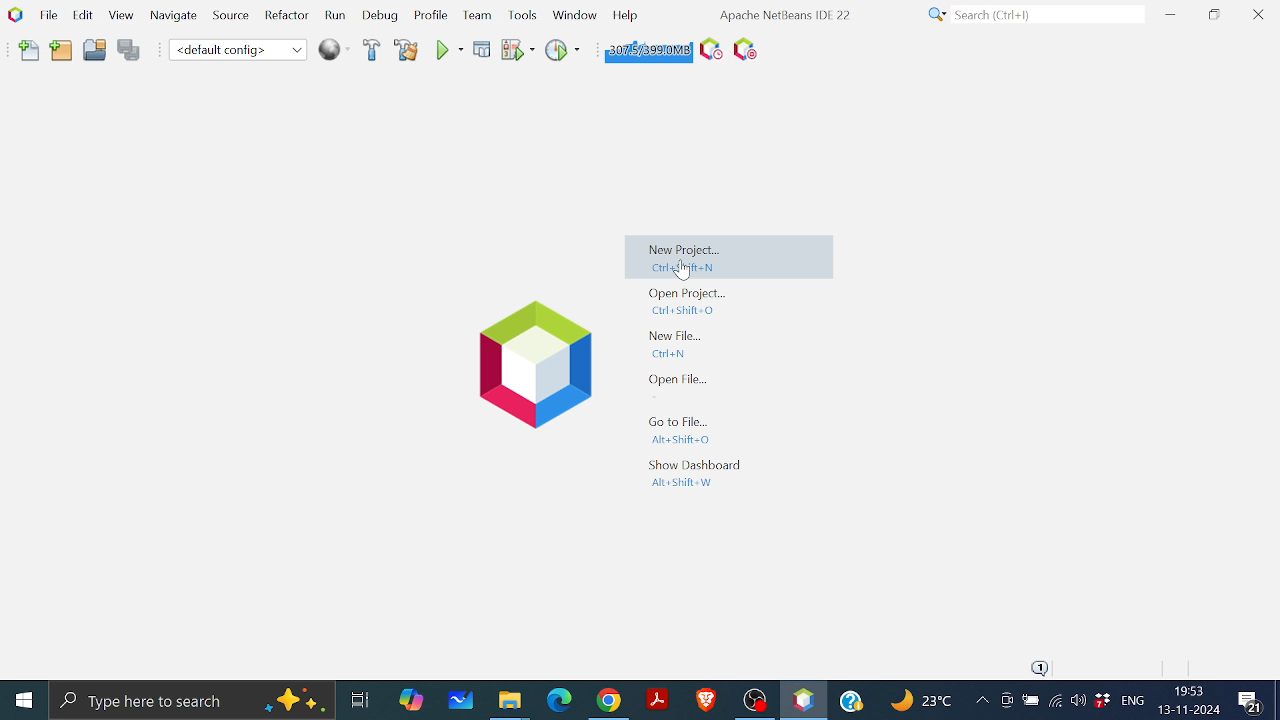  I want to click on Default coding, so click(238, 49).